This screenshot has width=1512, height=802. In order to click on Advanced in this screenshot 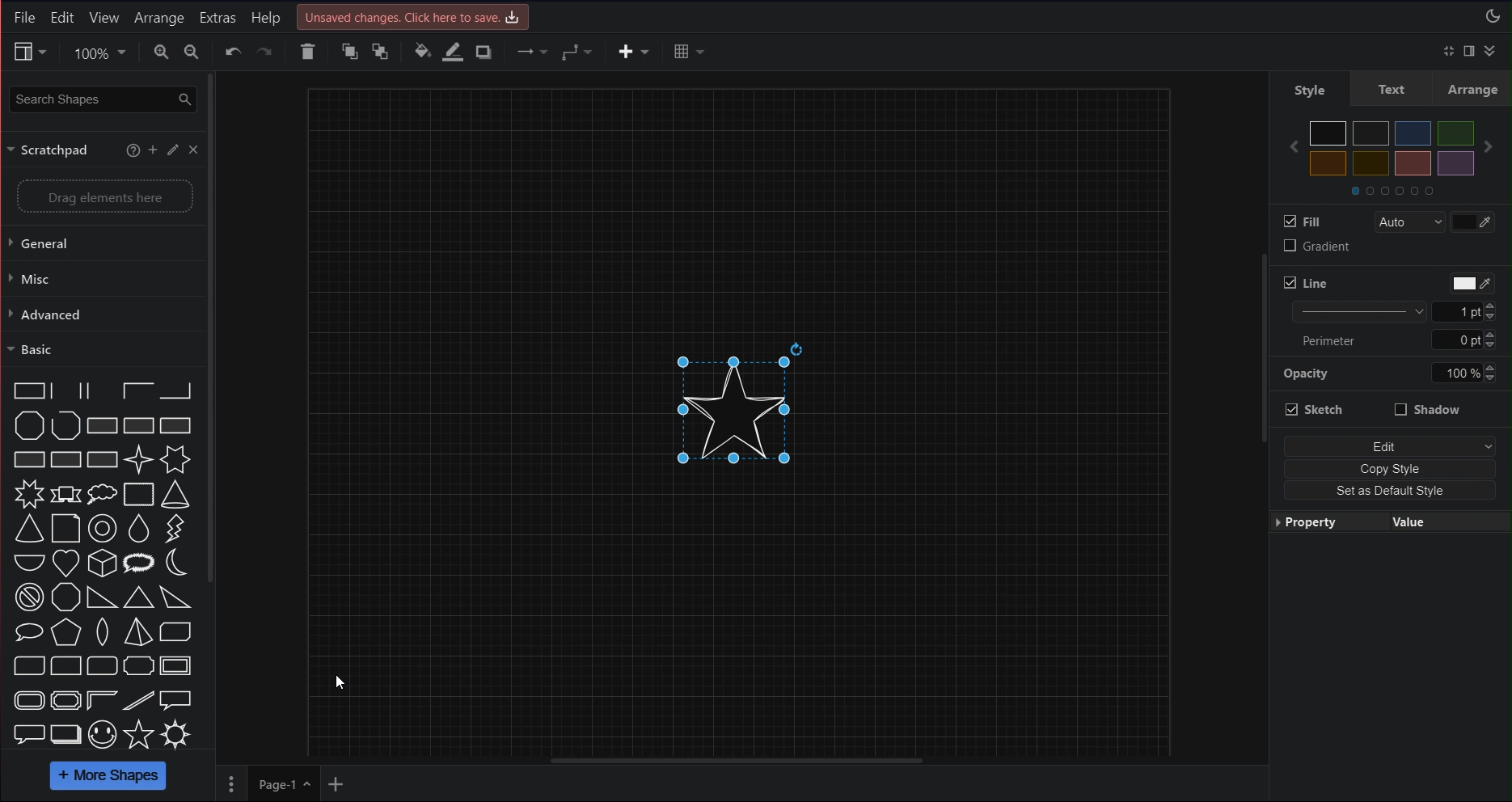, I will do `click(99, 313)`.